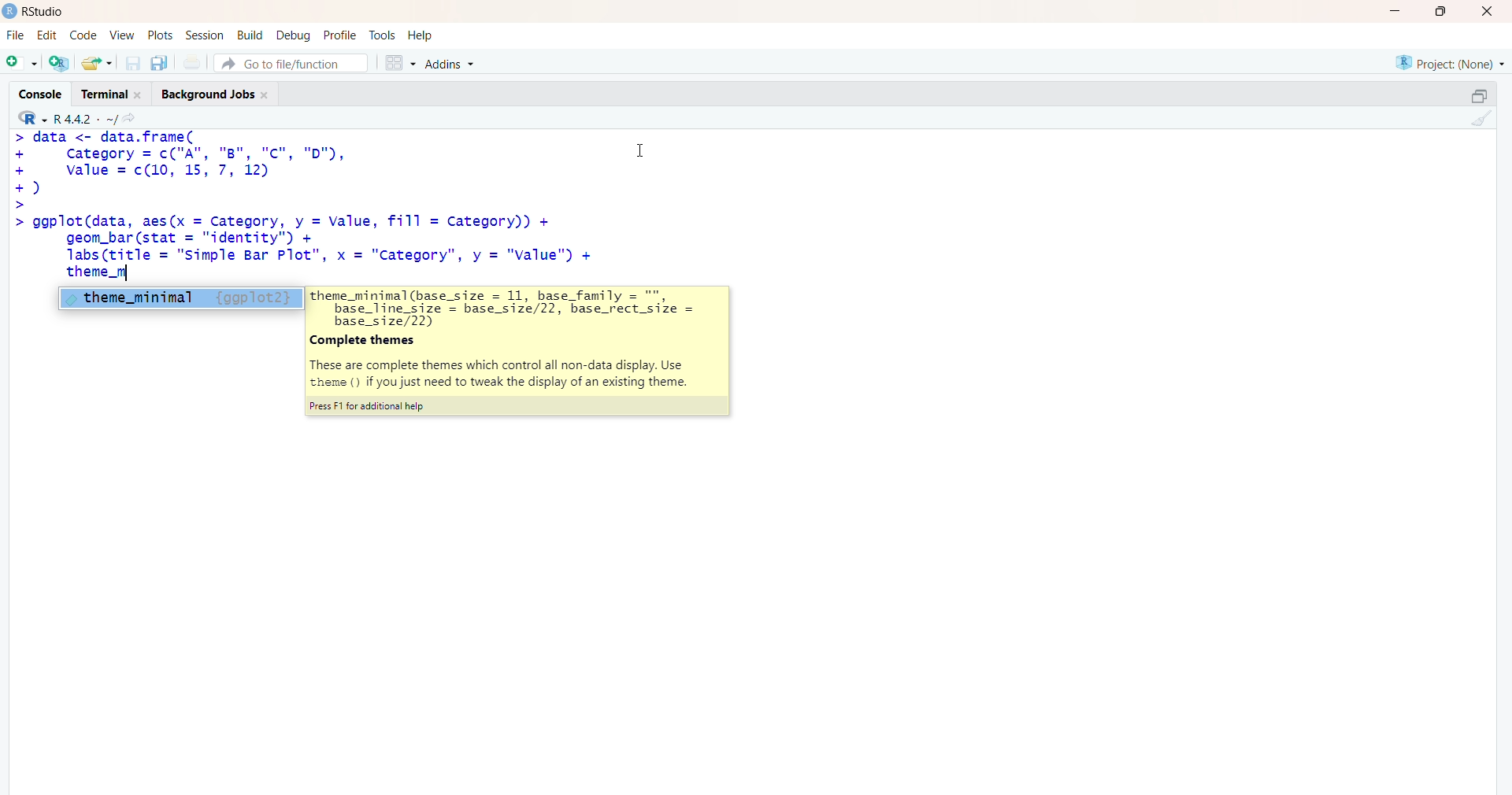  Describe the element at coordinates (1484, 11) in the screenshot. I see `Close` at that location.